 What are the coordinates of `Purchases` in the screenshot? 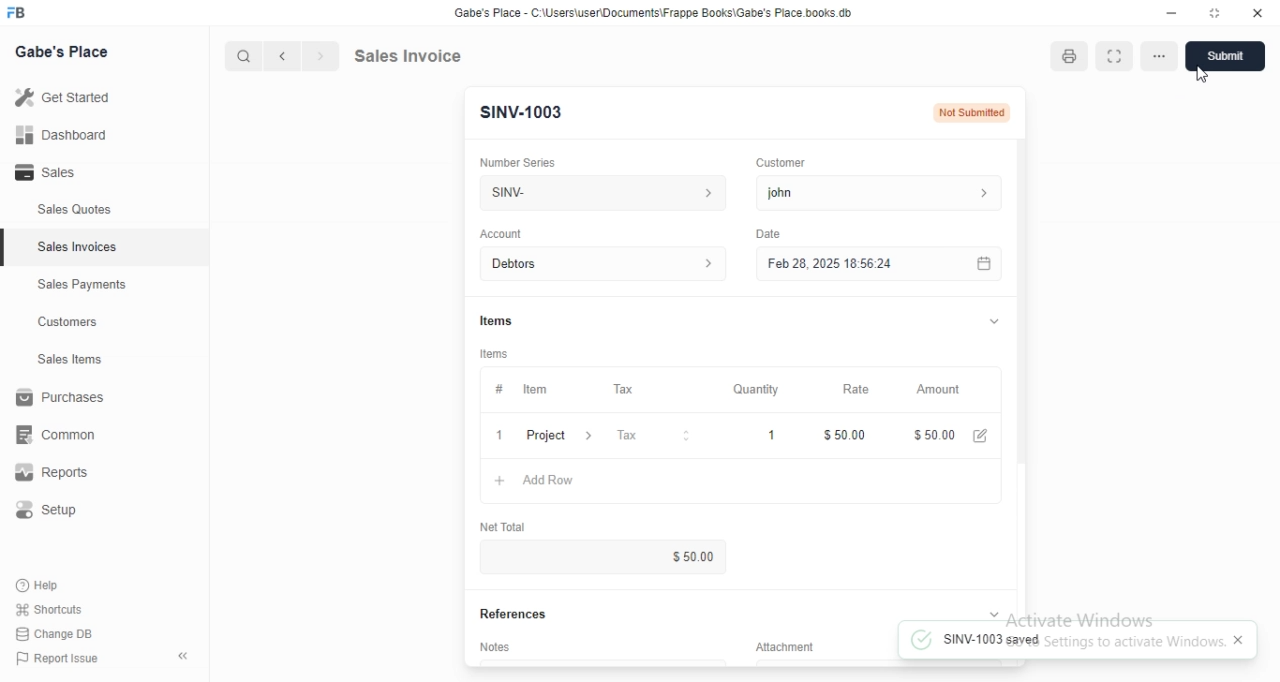 It's located at (64, 400).